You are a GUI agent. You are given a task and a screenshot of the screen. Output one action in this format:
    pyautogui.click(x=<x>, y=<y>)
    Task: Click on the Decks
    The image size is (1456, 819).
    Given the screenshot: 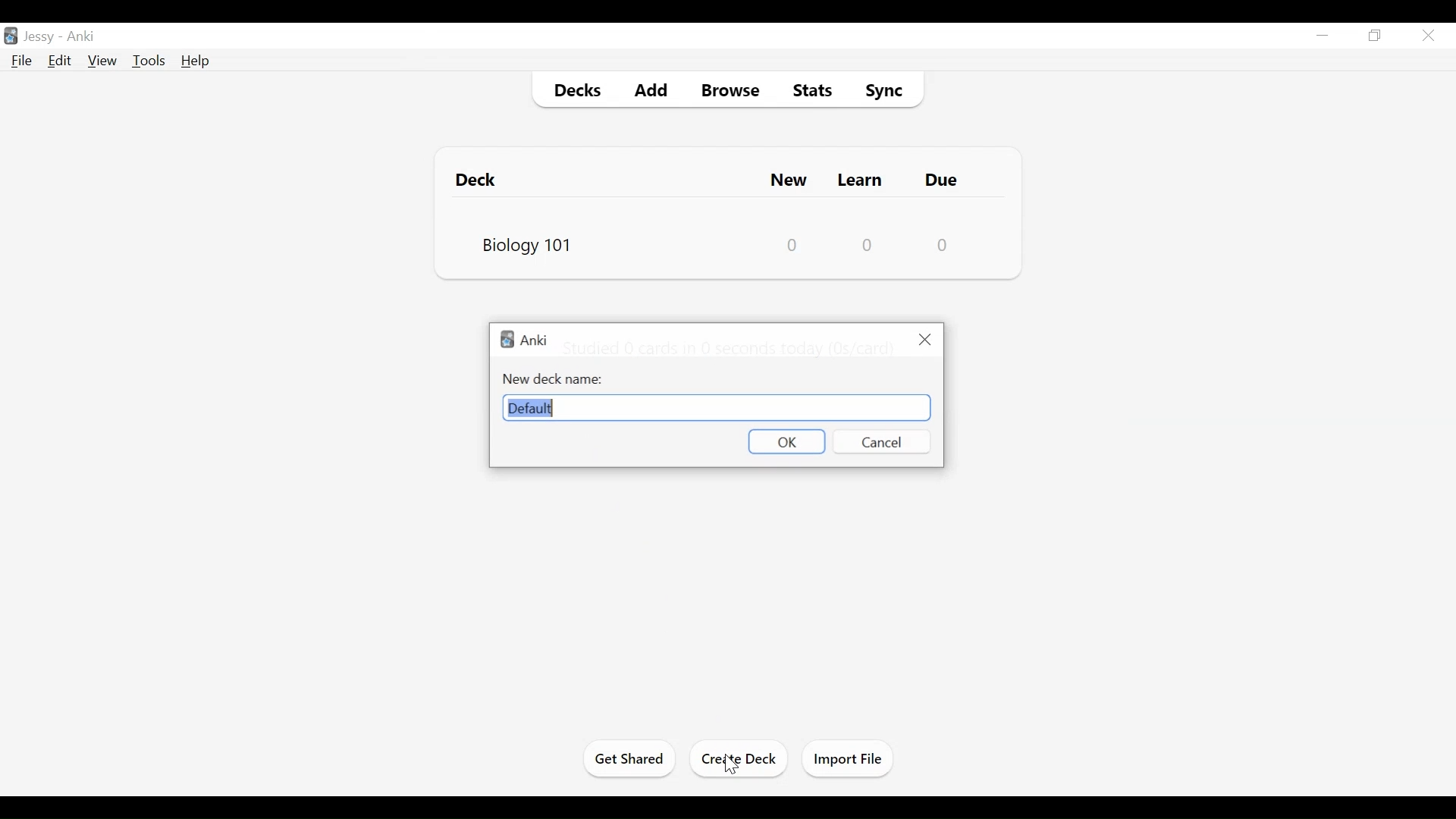 What is the action you would take?
    pyautogui.click(x=573, y=89)
    